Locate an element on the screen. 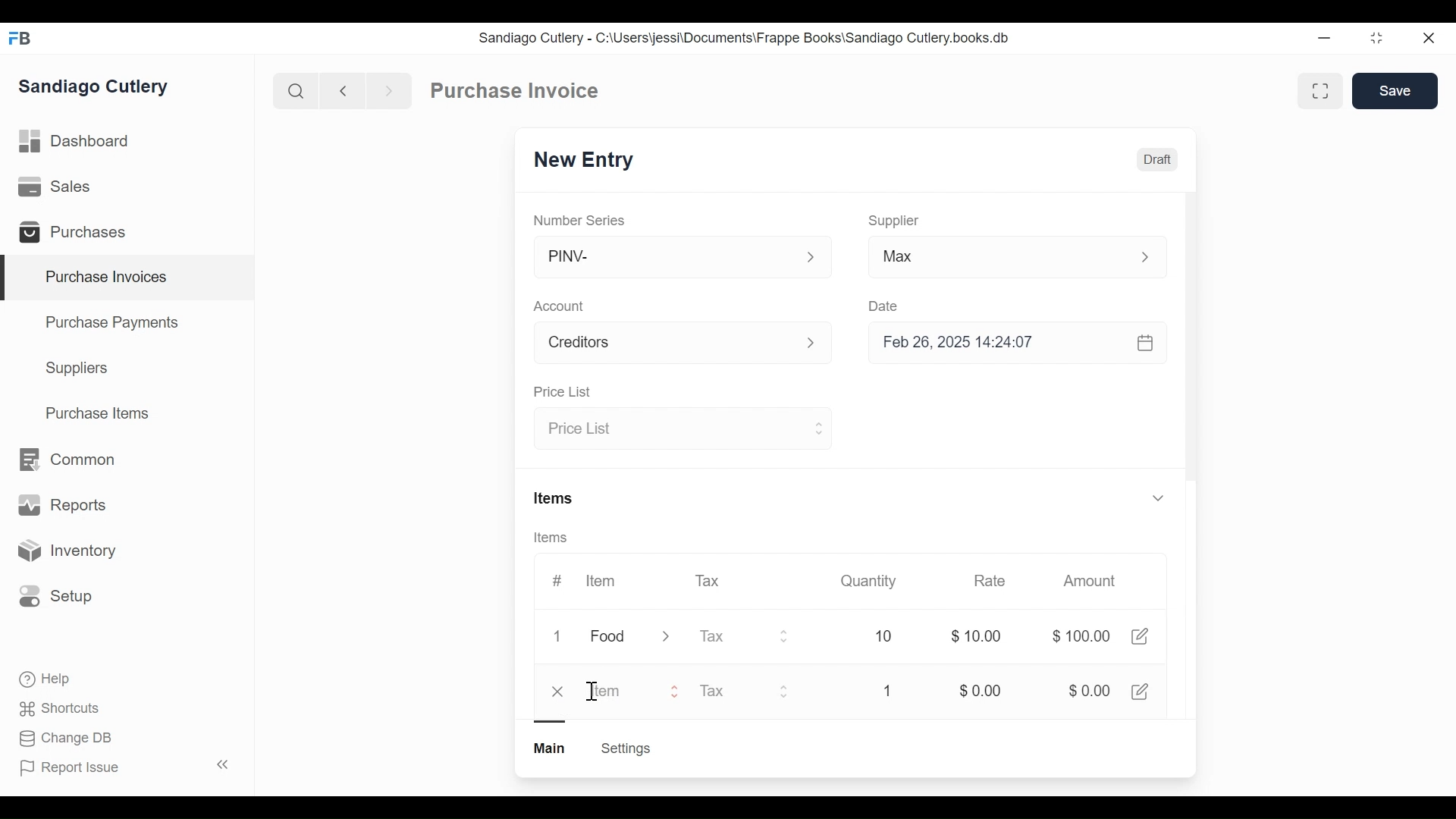 The image size is (1456, 819). Main is located at coordinates (551, 747).